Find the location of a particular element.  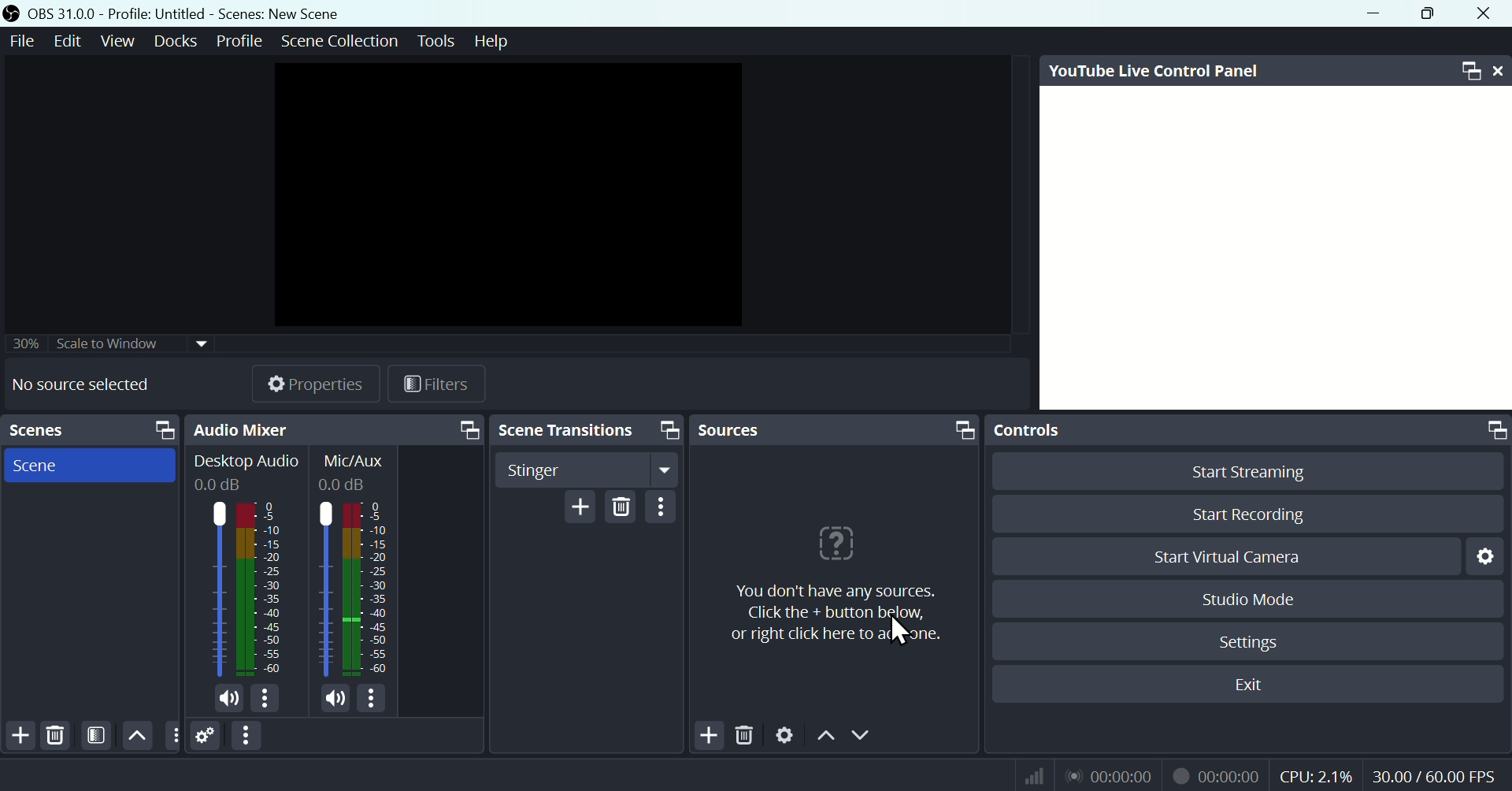

Start Streaming is located at coordinates (1247, 469).